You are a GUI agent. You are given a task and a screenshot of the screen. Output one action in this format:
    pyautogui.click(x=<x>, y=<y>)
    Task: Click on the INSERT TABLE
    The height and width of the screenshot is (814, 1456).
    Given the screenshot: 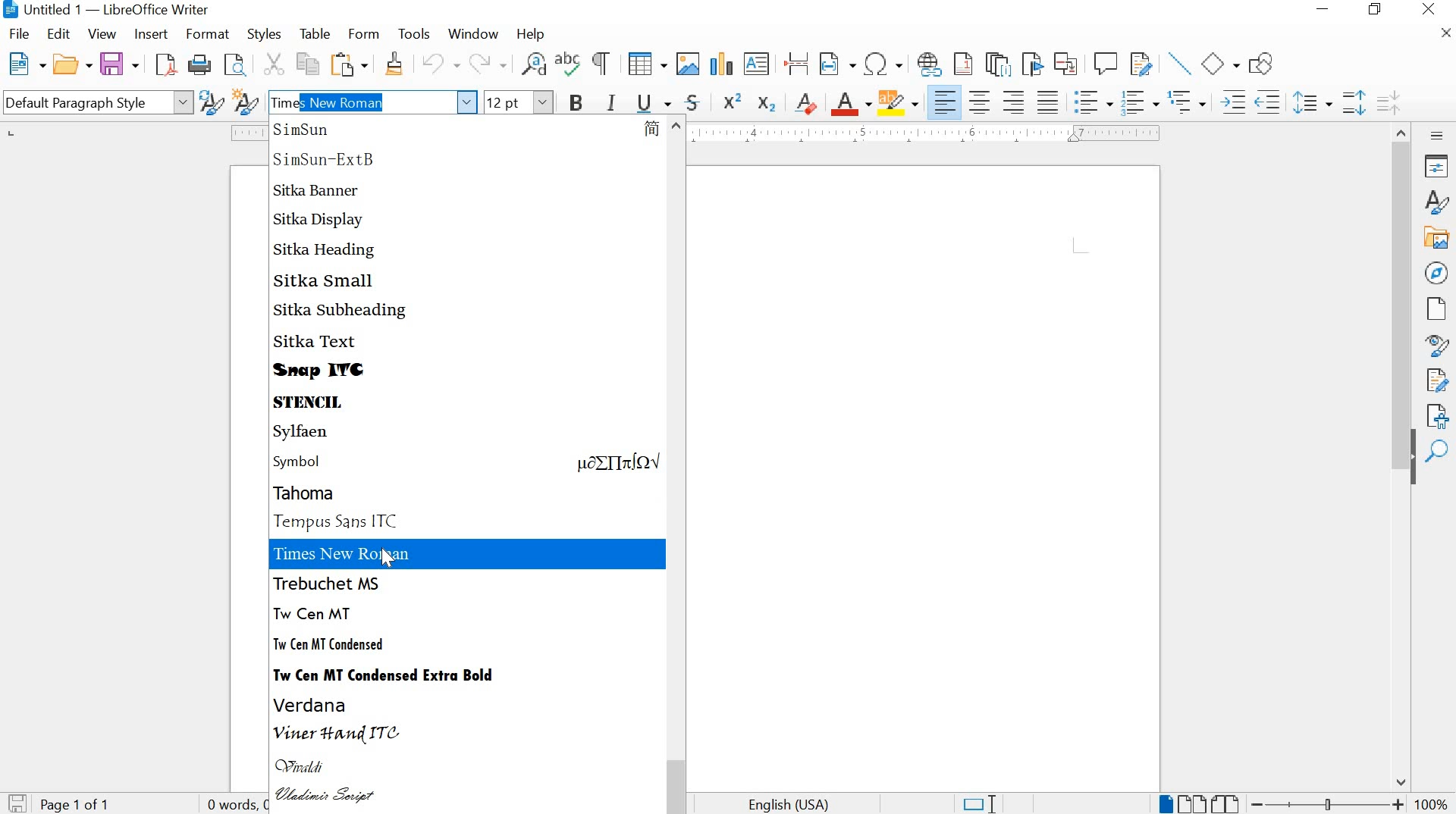 What is the action you would take?
    pyautogui.click(x=645, y=64)
    